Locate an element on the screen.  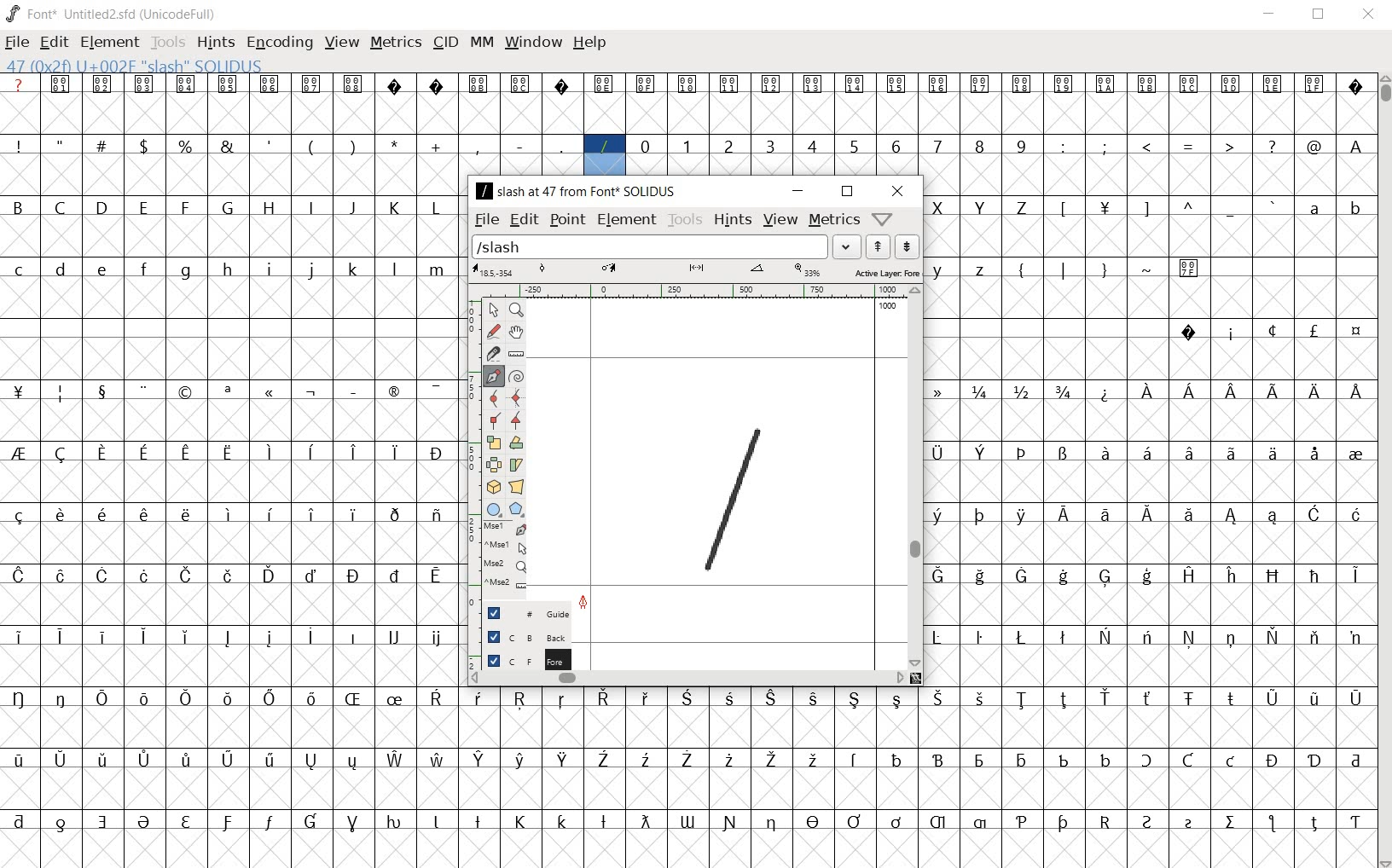
show the next word on the list is located at coordinates (876, 247).